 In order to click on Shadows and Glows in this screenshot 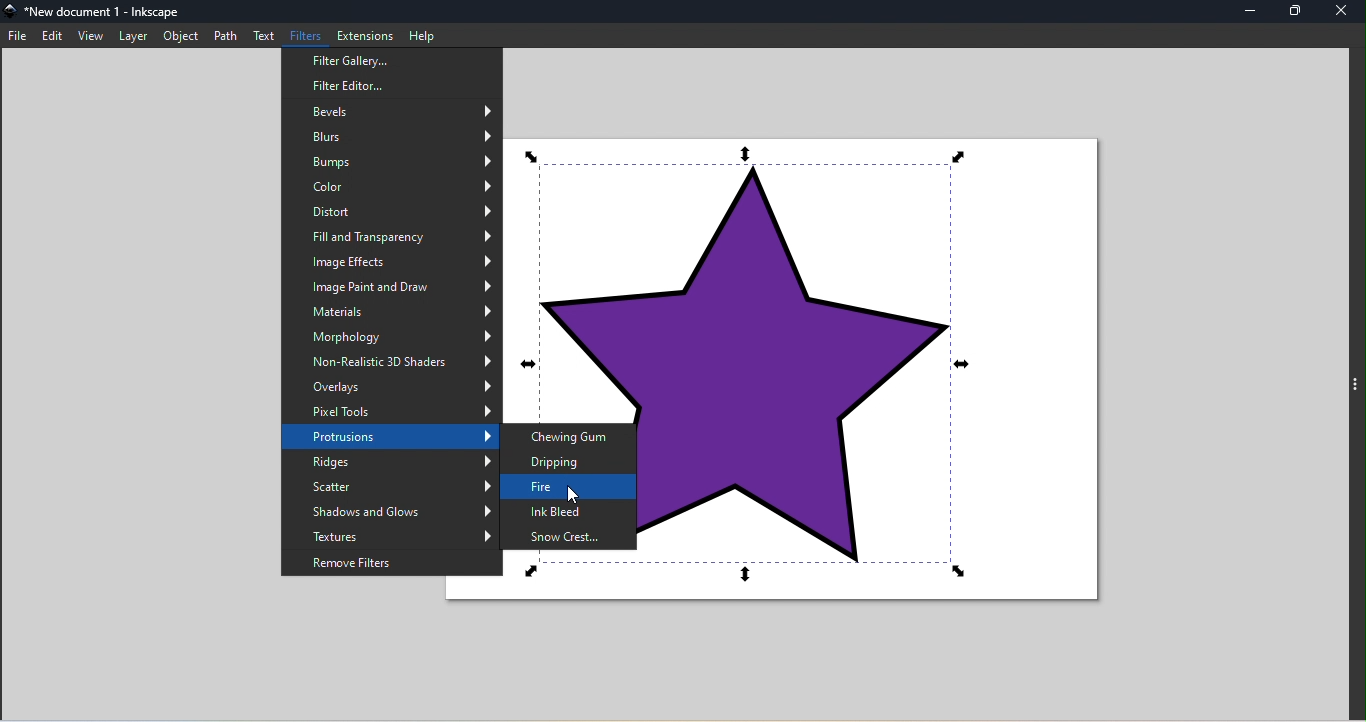, I will do `click(388, 511)`.